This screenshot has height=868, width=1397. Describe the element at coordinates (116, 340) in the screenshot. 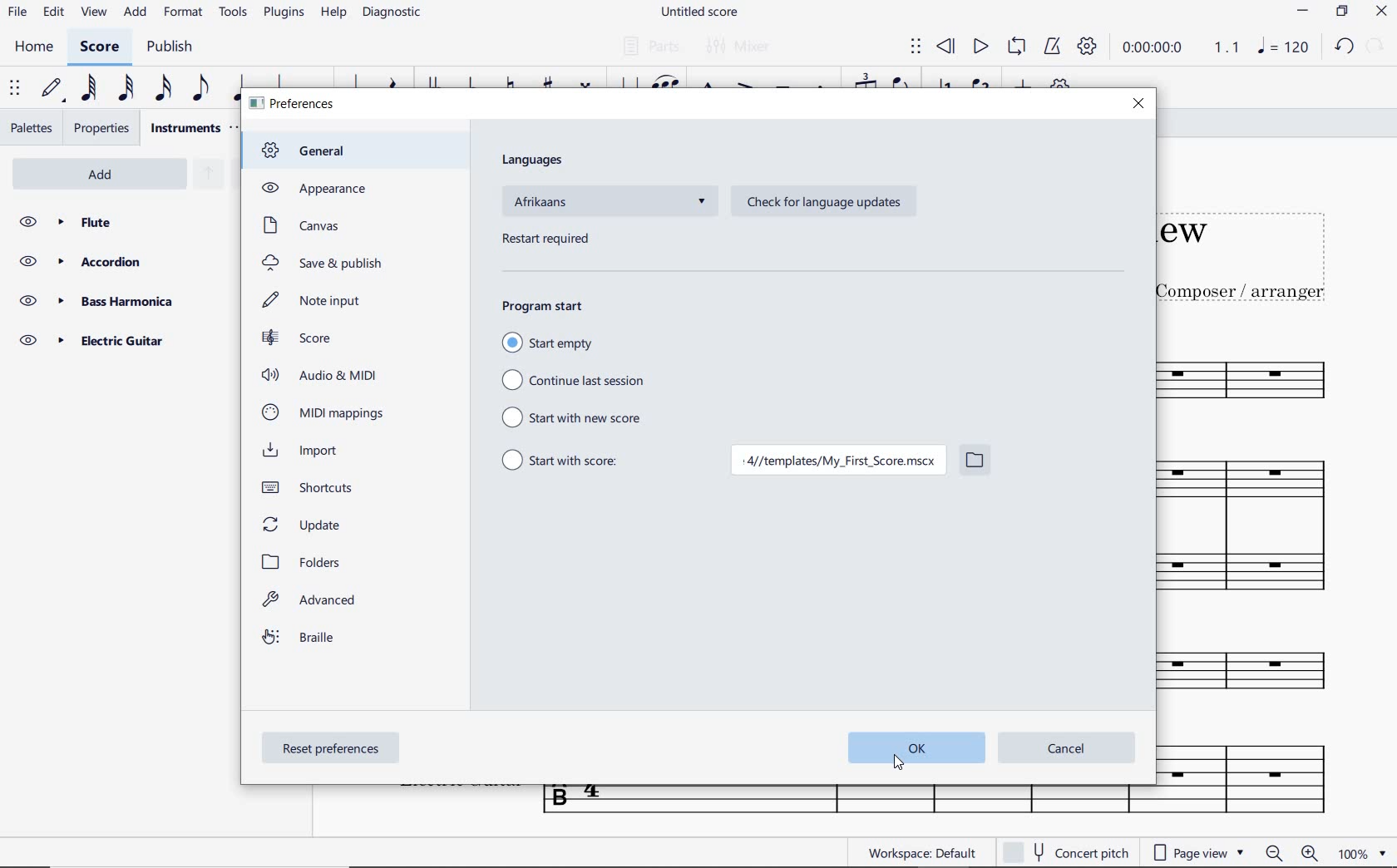

I see `electric guitar` at that location.